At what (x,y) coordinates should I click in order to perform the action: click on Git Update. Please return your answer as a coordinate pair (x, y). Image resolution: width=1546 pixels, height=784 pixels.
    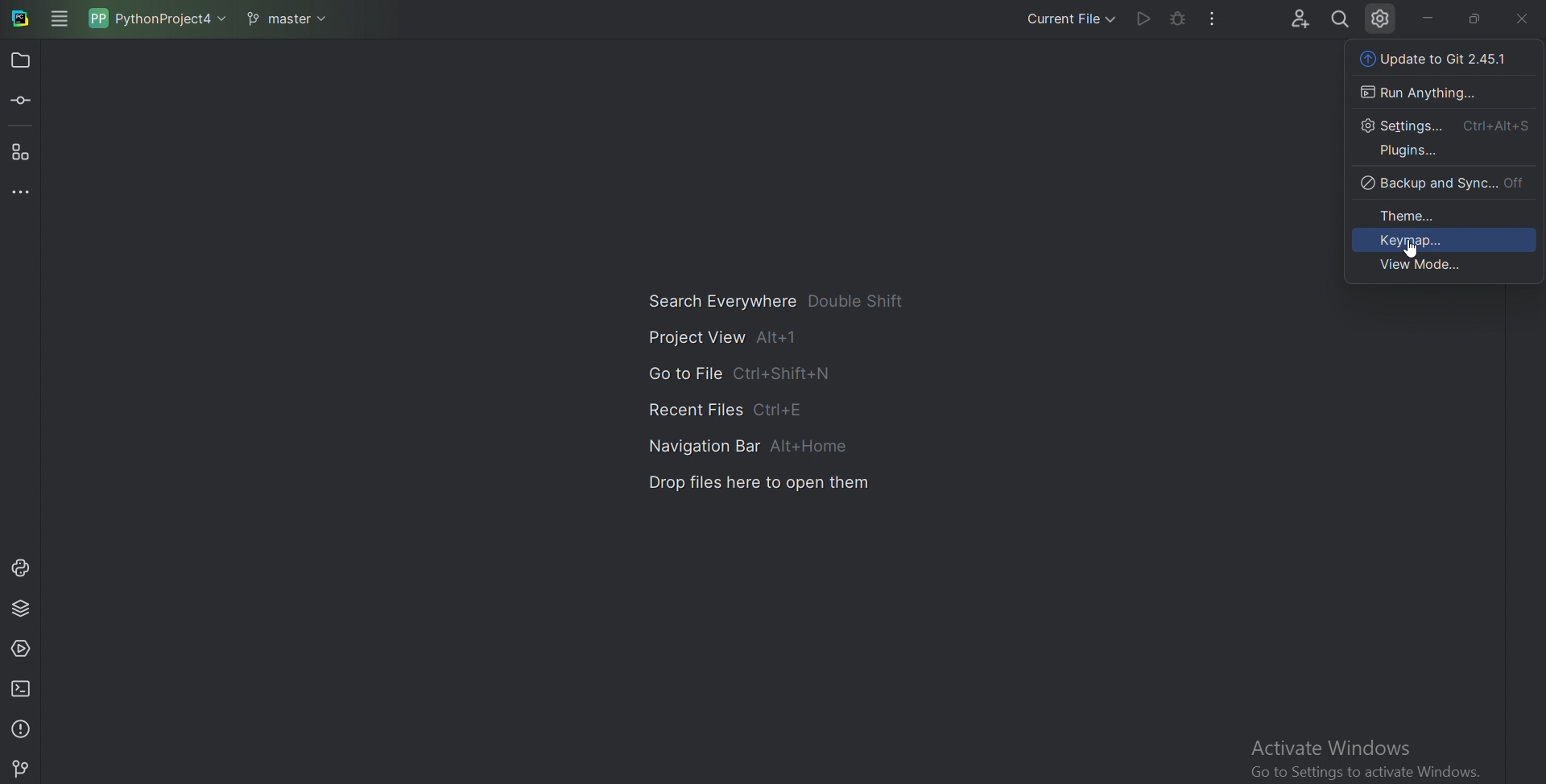
    Looking at the image, I should click on (1438, 60).